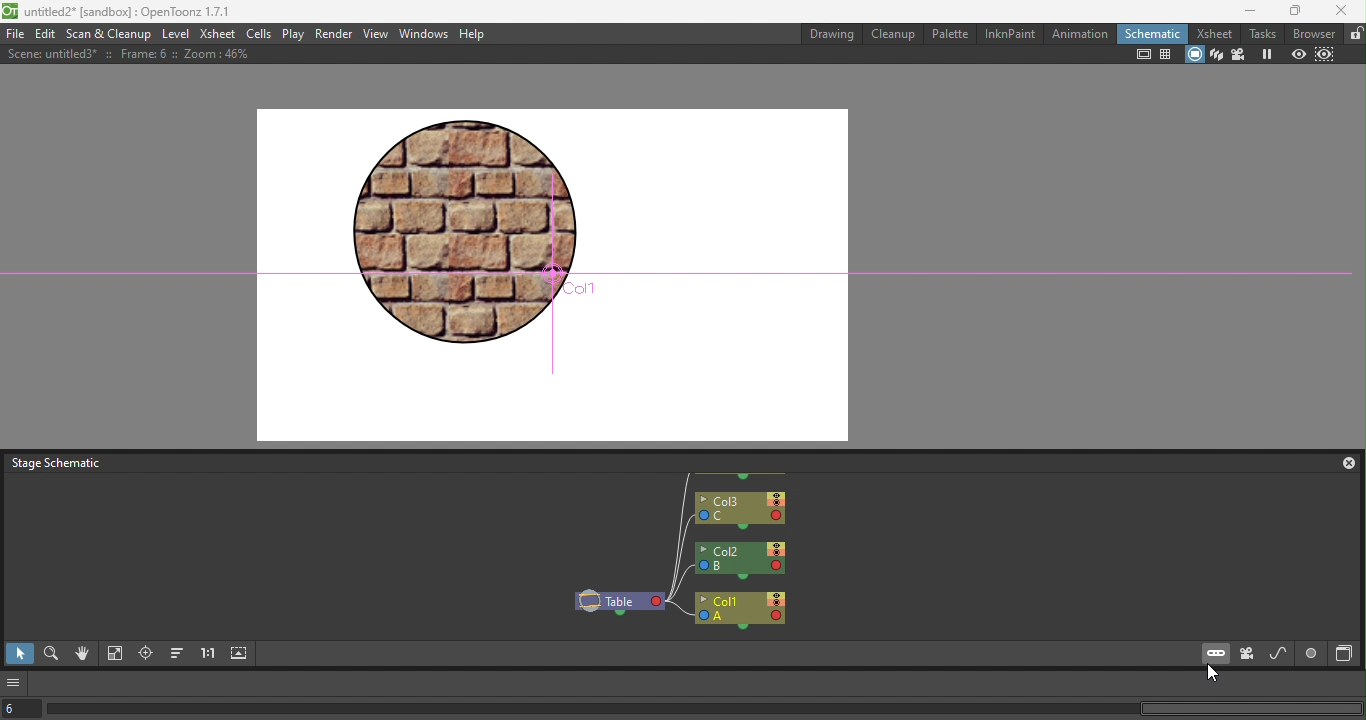  I want to click on Table, so click(617, 602).